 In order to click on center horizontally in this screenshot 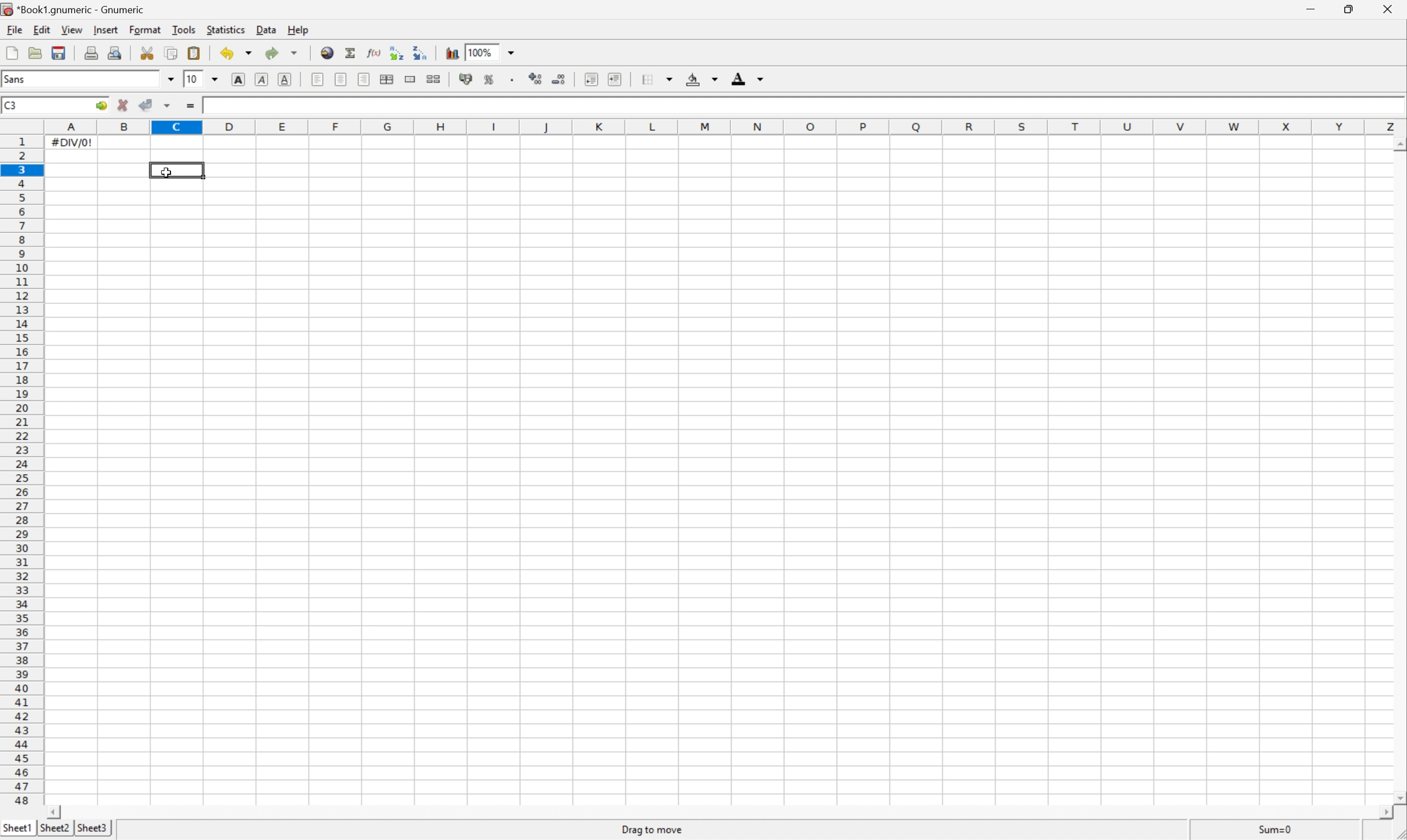, I will do `click(342, 79)`.